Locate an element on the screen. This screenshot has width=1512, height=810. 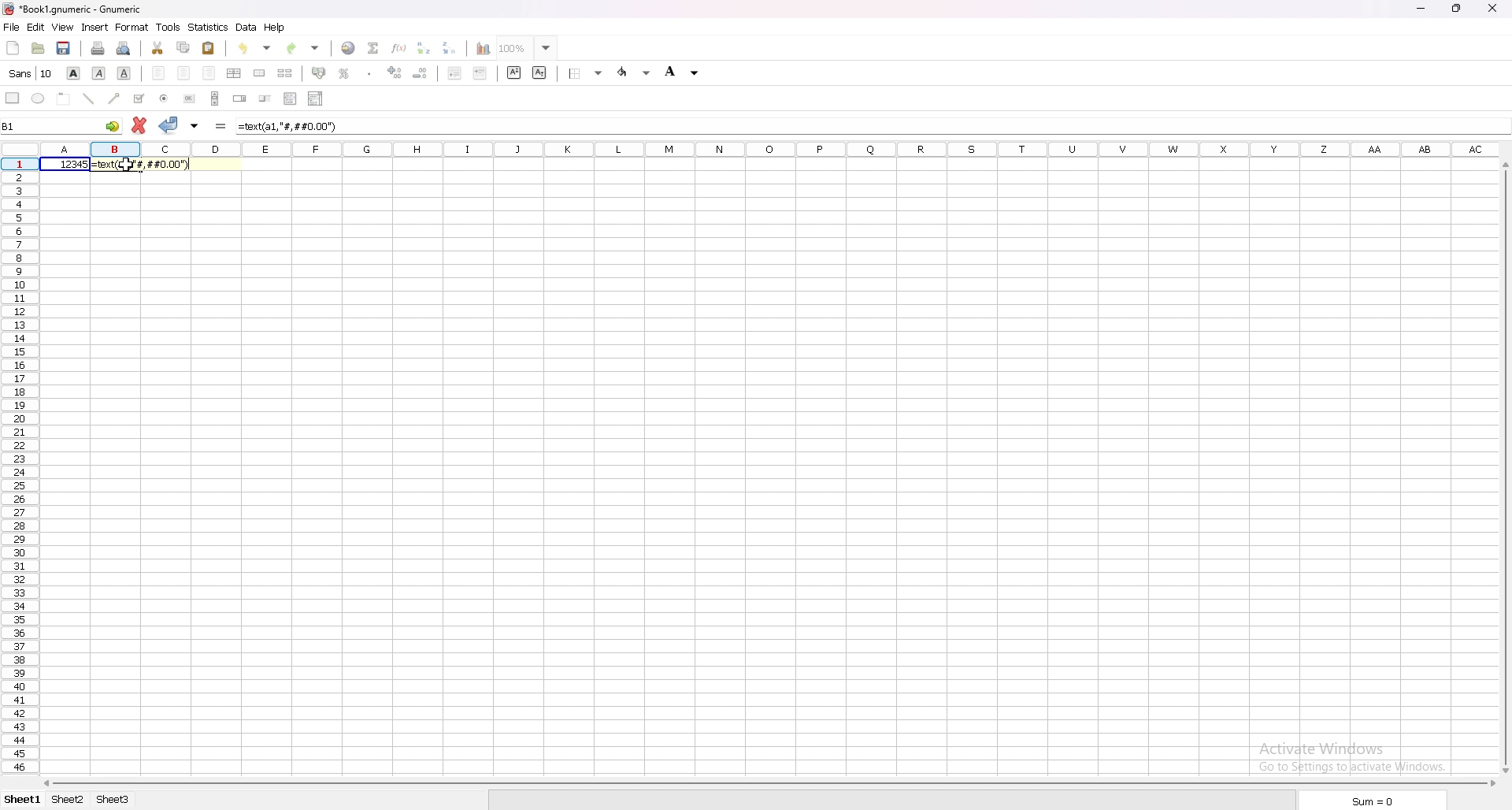
cursor is located at coordinates (132, 163).